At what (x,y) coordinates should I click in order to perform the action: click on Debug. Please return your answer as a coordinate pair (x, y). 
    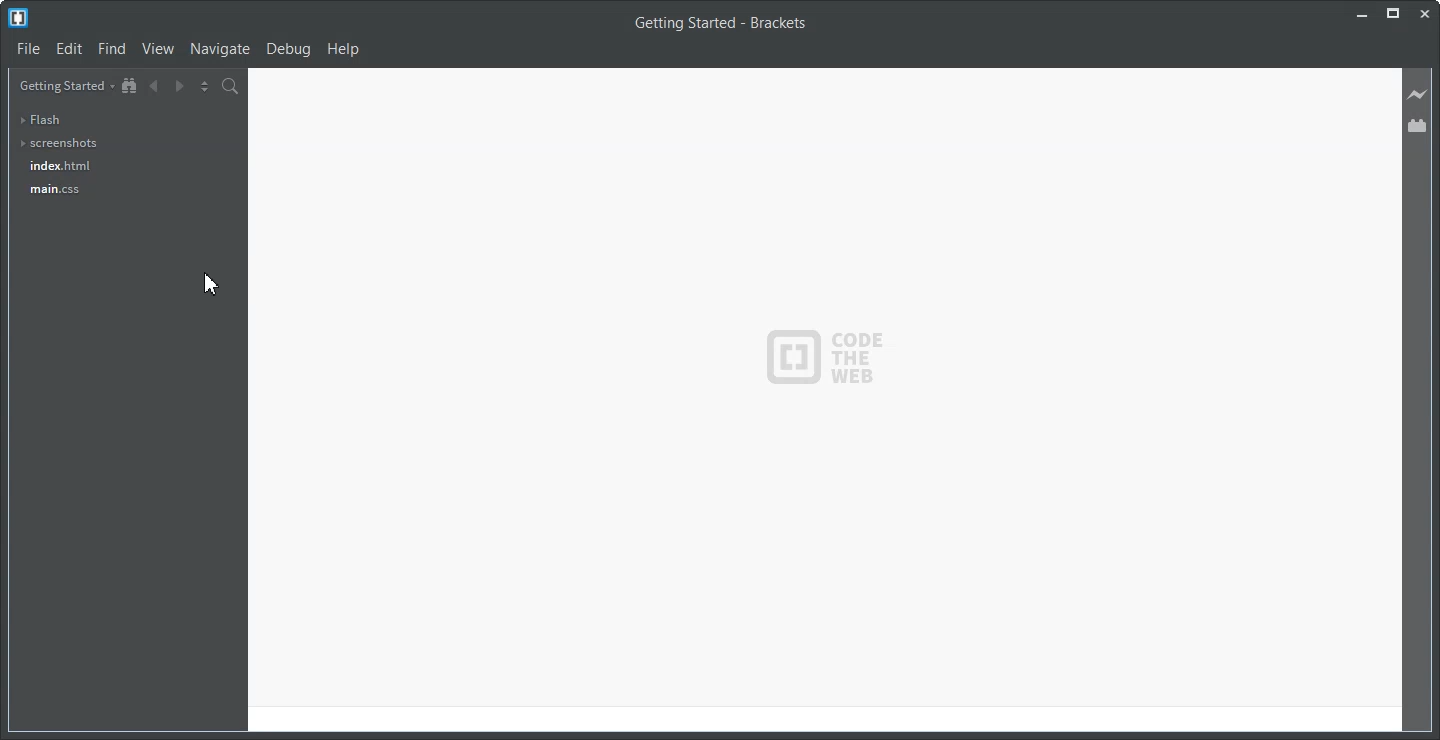
    Looking at the image, I should click on (290, 50).